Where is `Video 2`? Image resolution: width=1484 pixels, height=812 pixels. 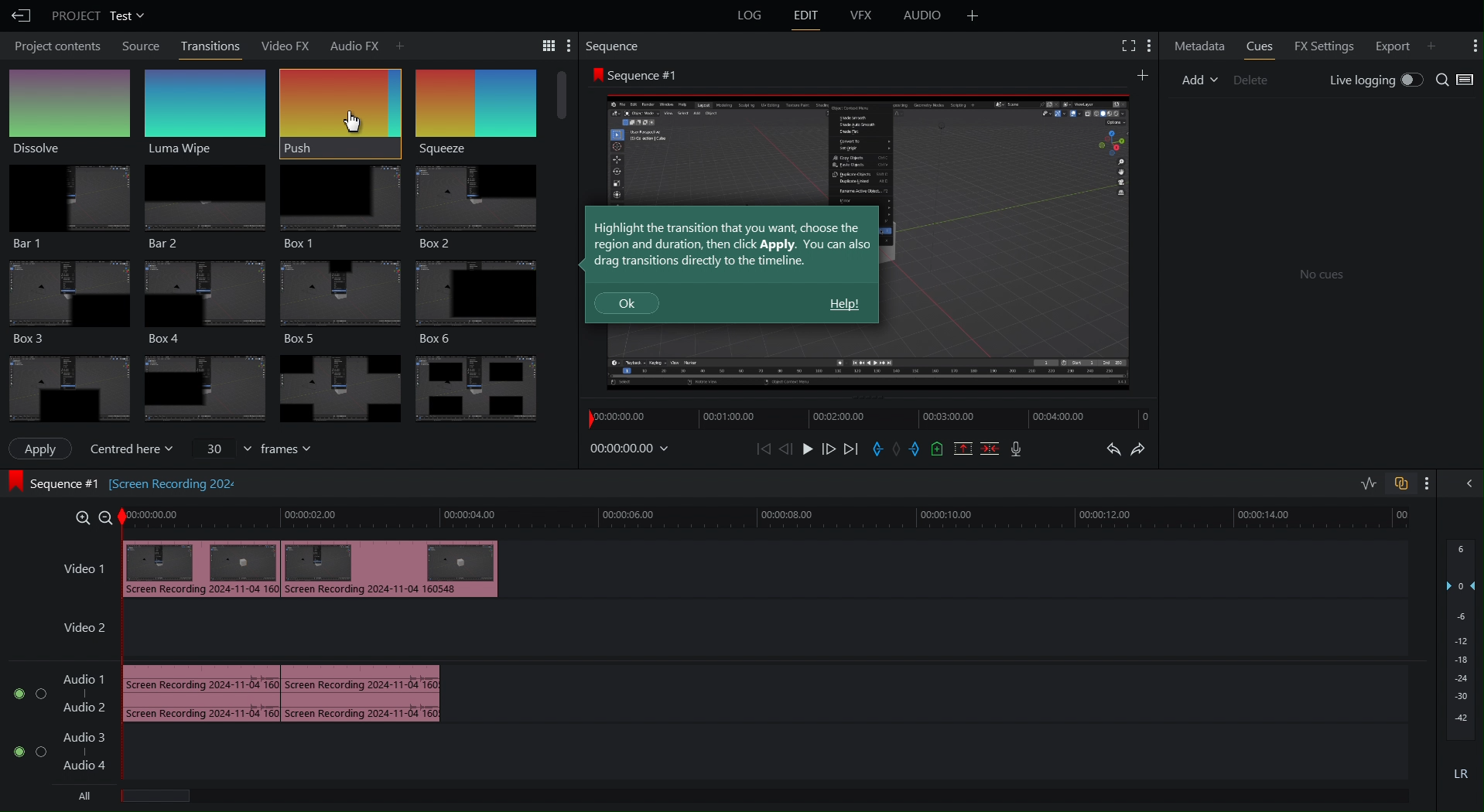
Video 2 is located at coordinates (78, 630).